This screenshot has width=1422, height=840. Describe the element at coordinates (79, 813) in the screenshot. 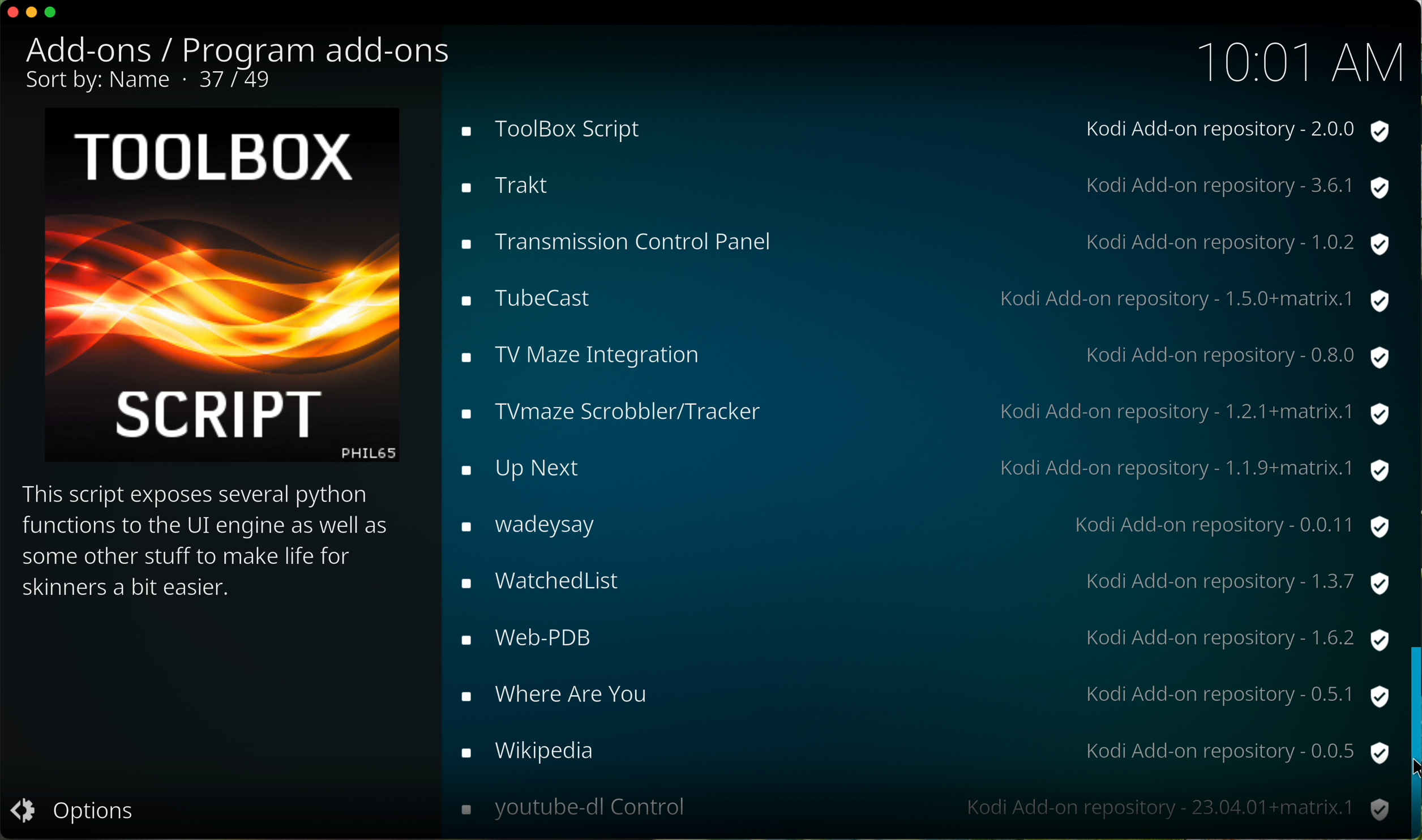

I see `options` at that location.